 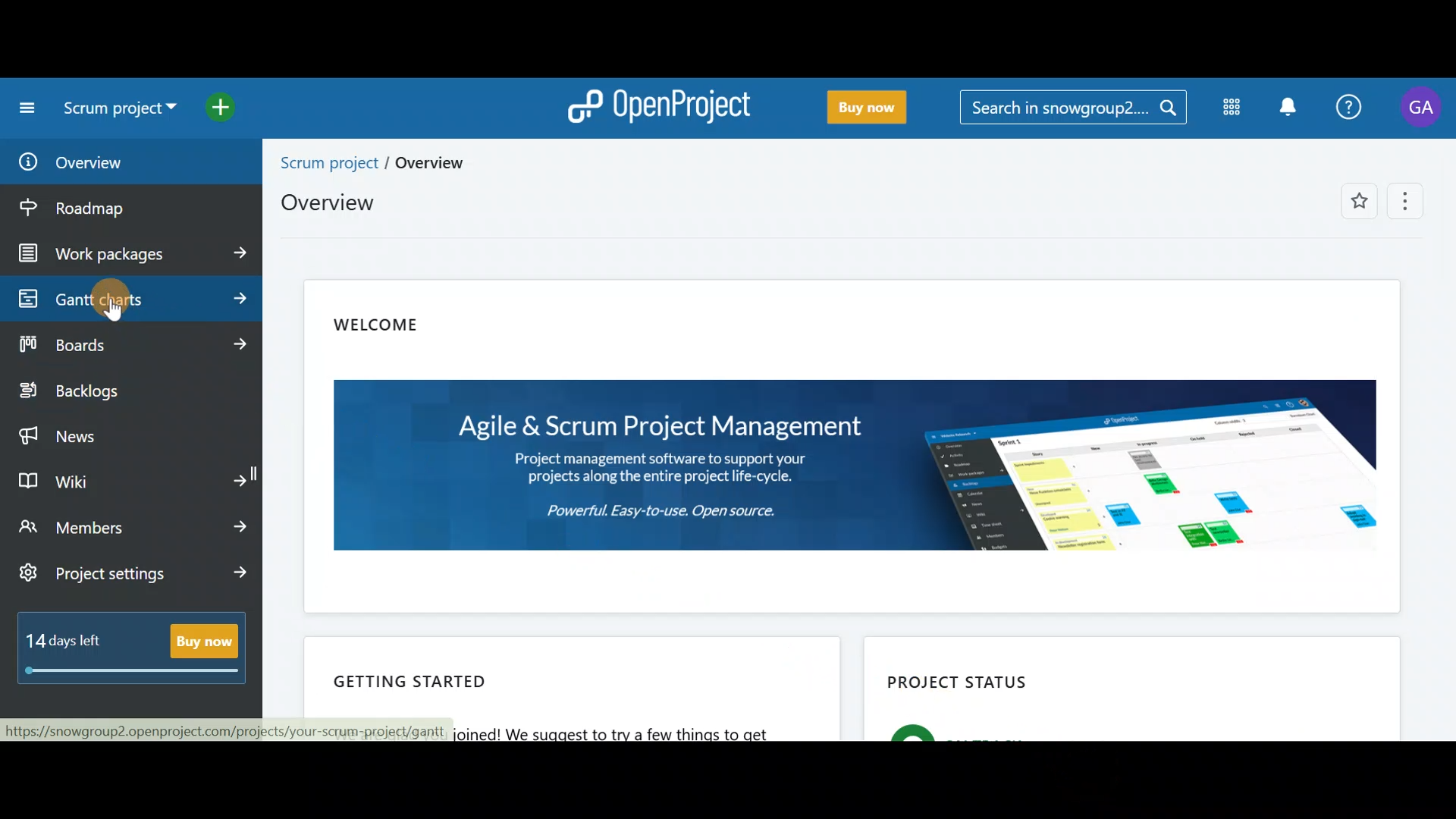 What do you see at coordinates (108, 301) in the screenshot?
I see `Cursor` at bounding box center [108, 301].